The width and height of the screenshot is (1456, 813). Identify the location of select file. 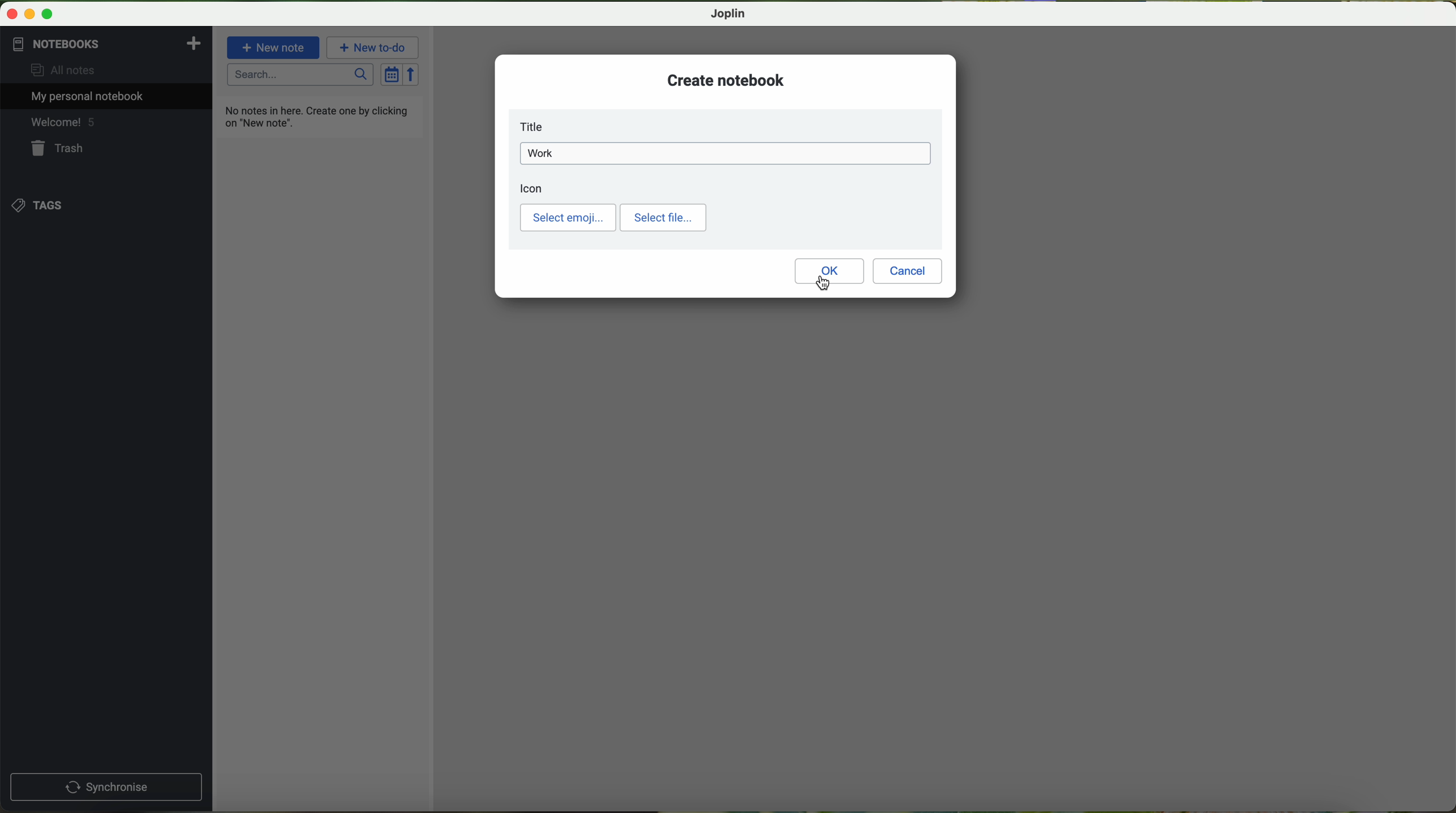
(663, 218).